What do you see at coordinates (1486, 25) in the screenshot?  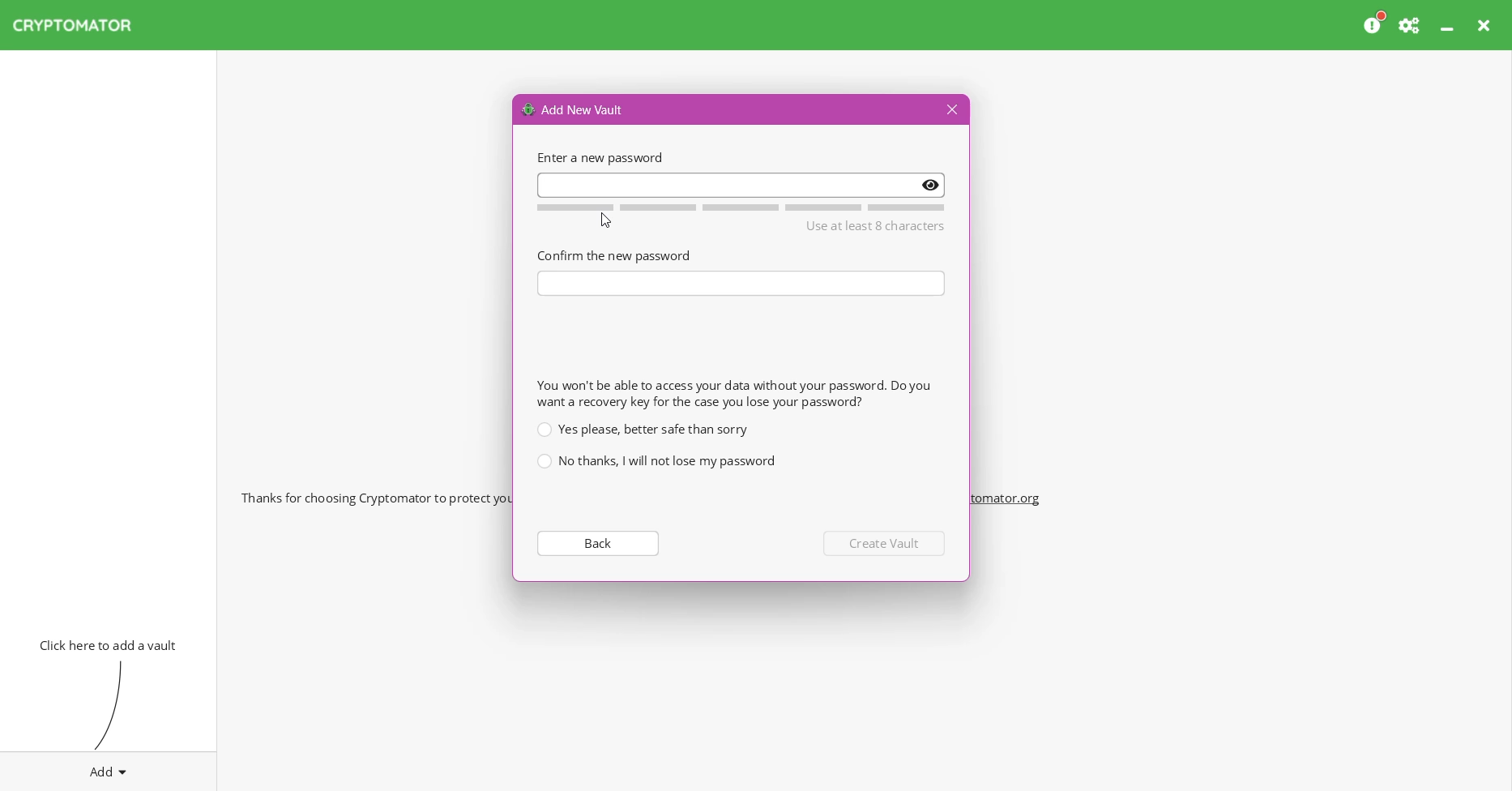 I see `Close` at bounding box center [1486, 25].